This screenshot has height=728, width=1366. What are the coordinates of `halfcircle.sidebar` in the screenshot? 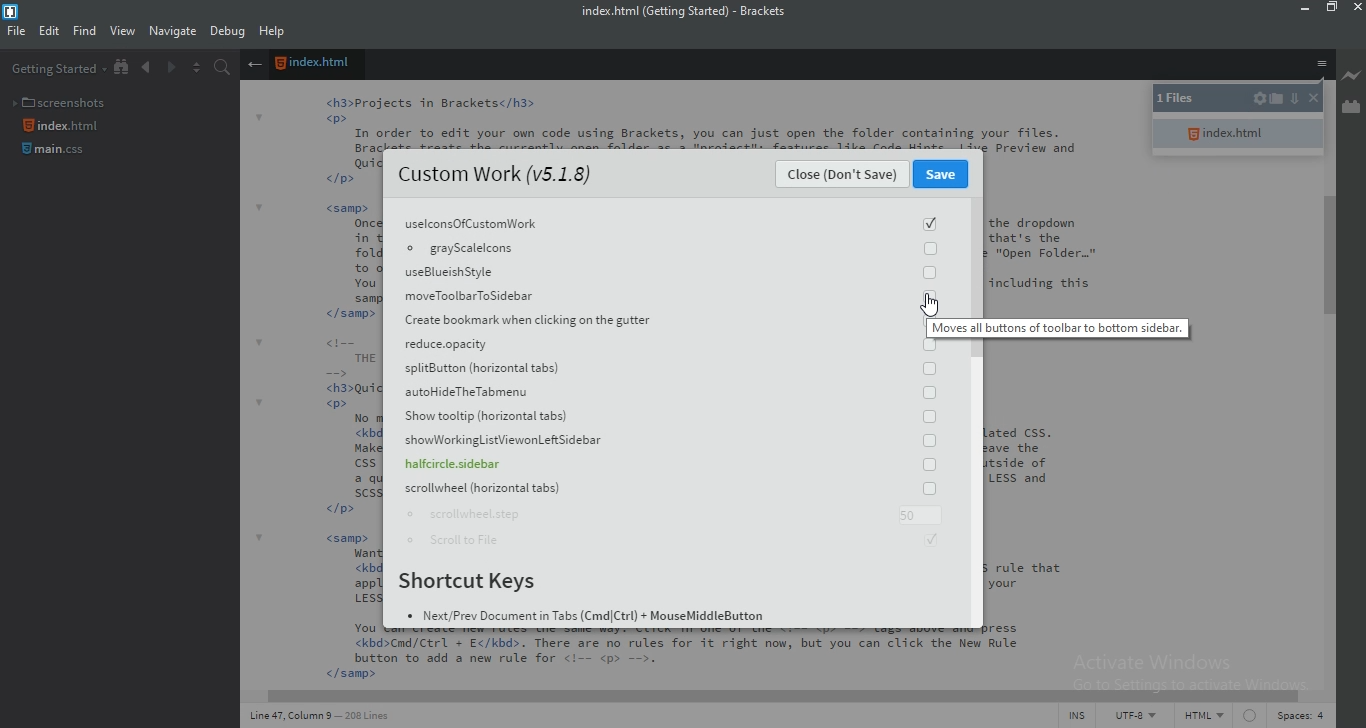 It's located at (666, 467).